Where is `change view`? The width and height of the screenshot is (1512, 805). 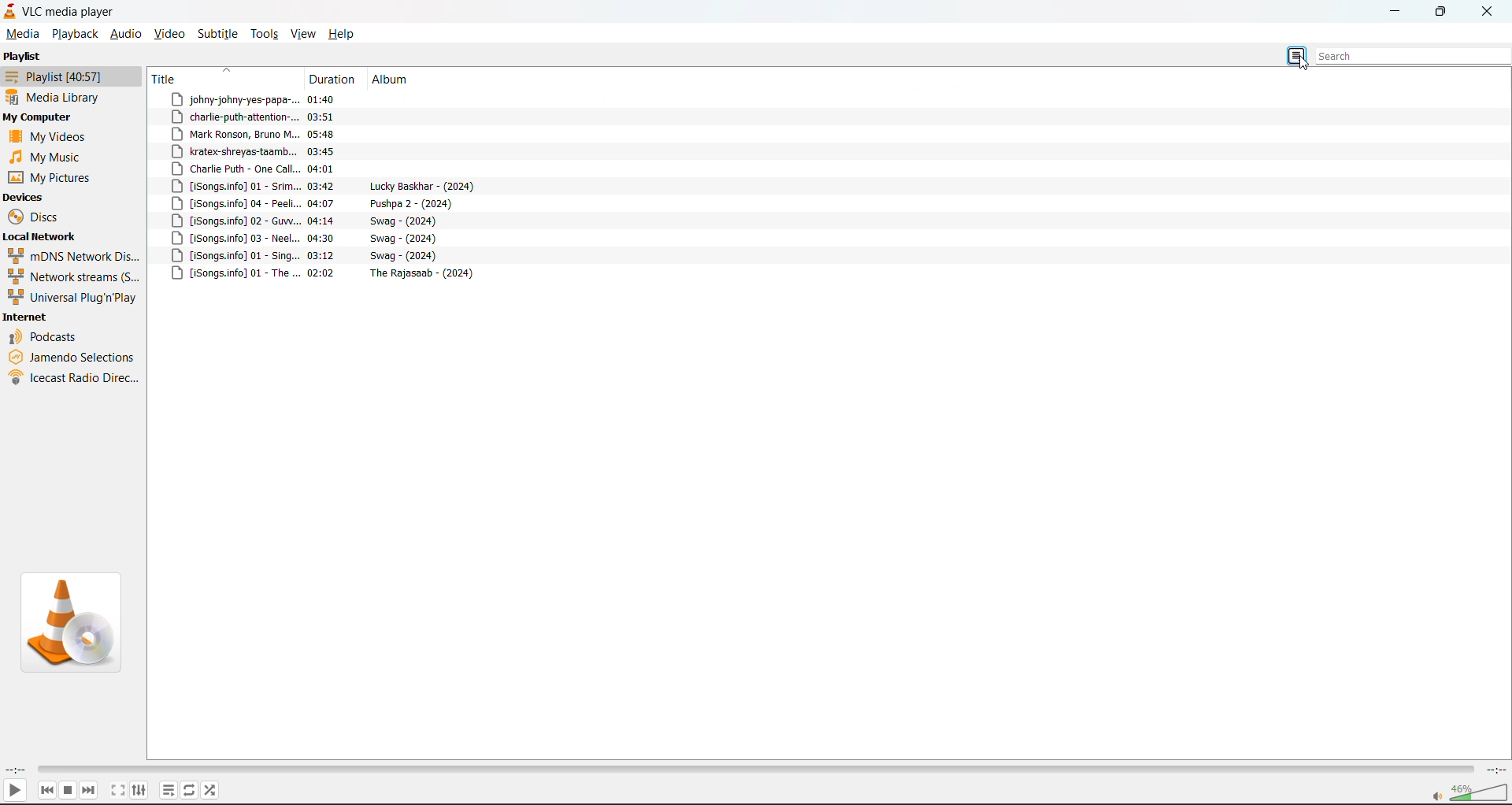
change view is located at coordinates (1299, 55).